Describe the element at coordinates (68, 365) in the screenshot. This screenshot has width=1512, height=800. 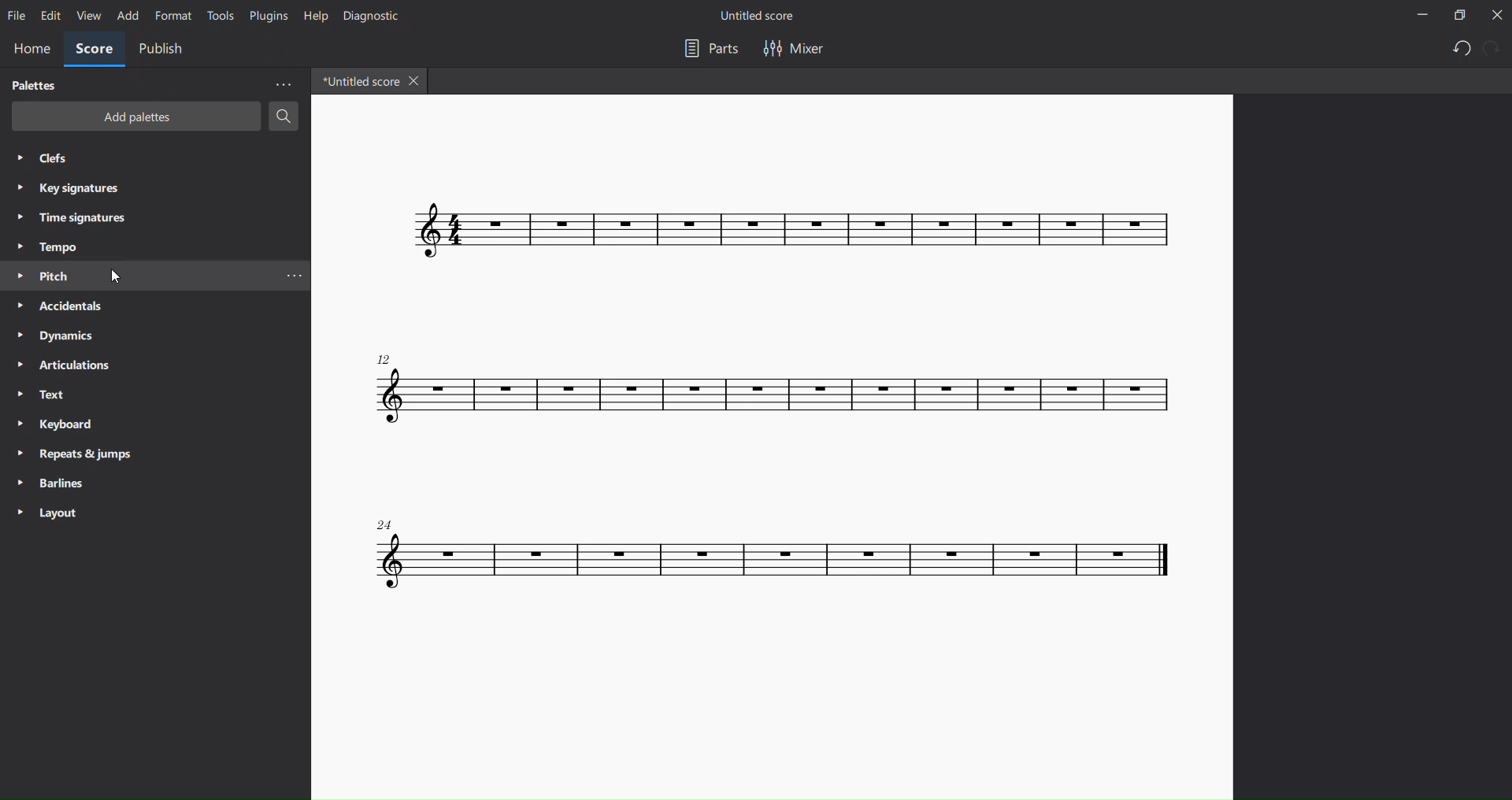
I see `articulation` at that location.